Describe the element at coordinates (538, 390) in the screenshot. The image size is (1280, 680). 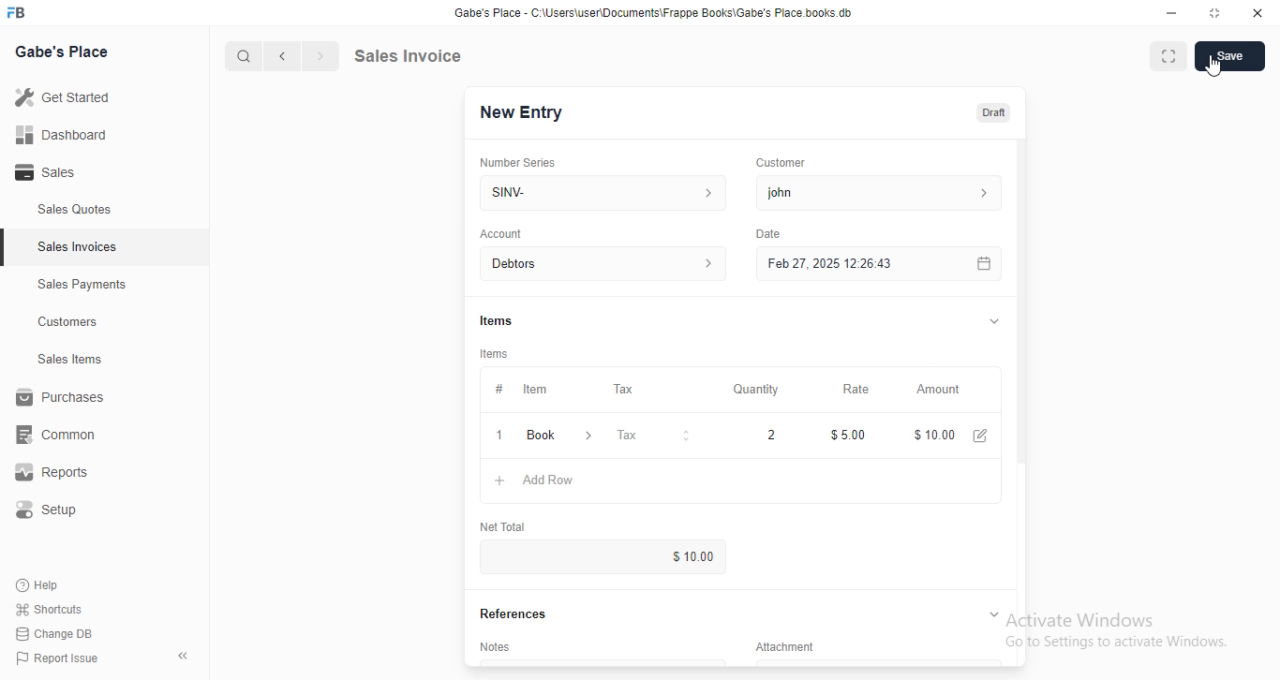
I see ` item` at that location.